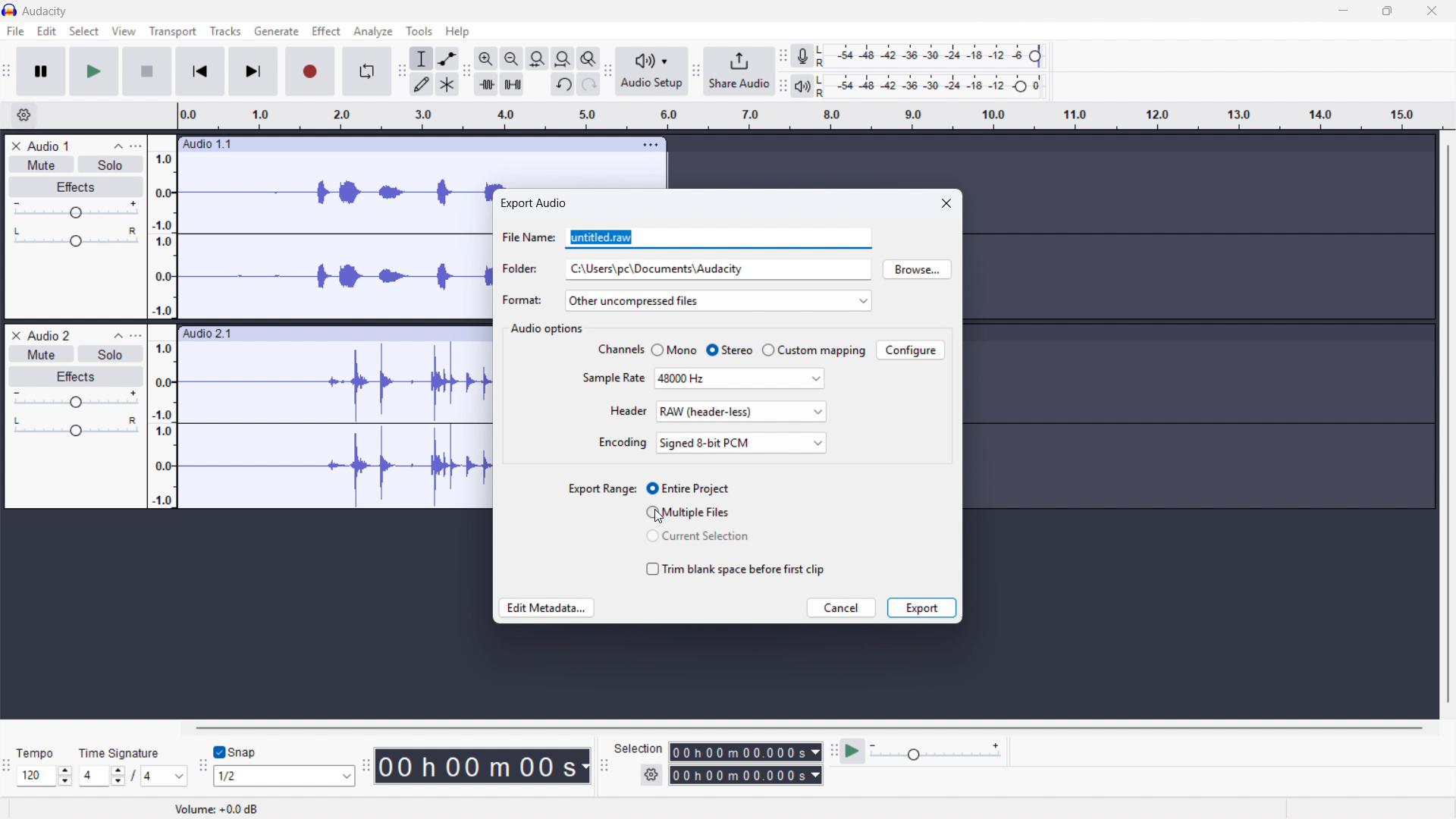  I want to click on folder, so click(522, 269).